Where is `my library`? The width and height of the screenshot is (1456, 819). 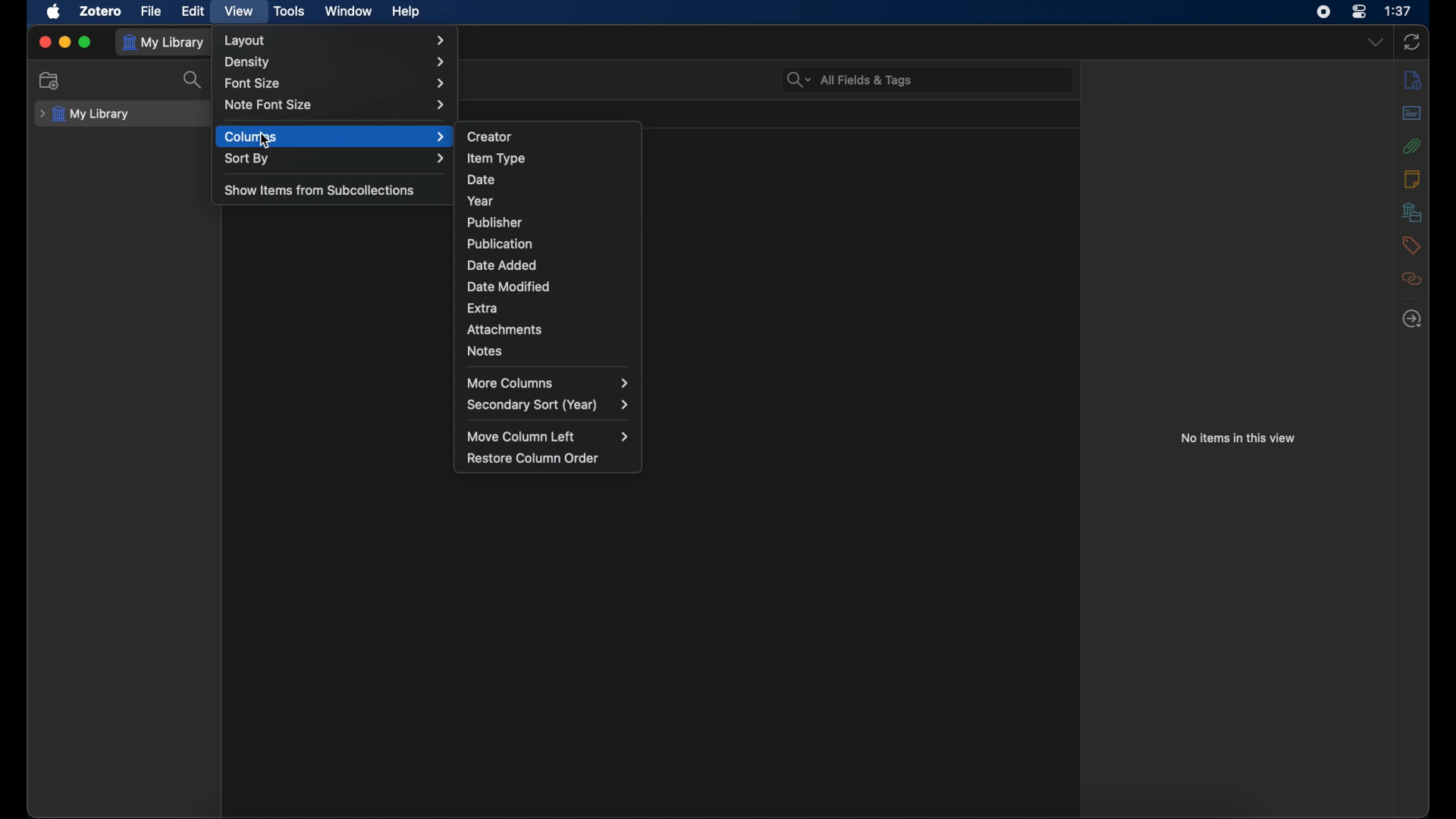
my library is located at coordinates (167, 43).